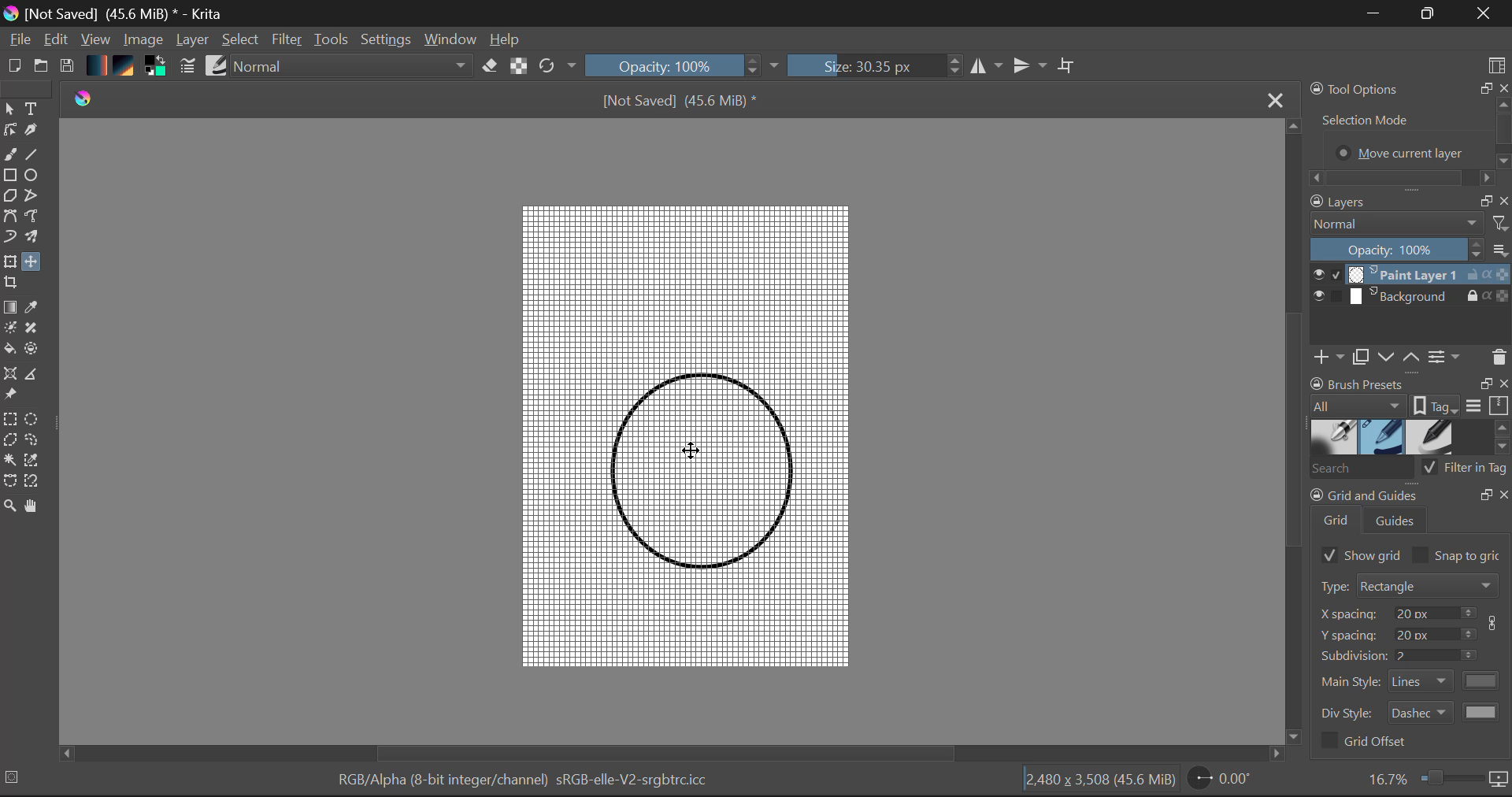 This screenshot has height=797, width=1512. Describe the element at coordinates (332, 41) in the screenshot. I see `Tools` at that location.